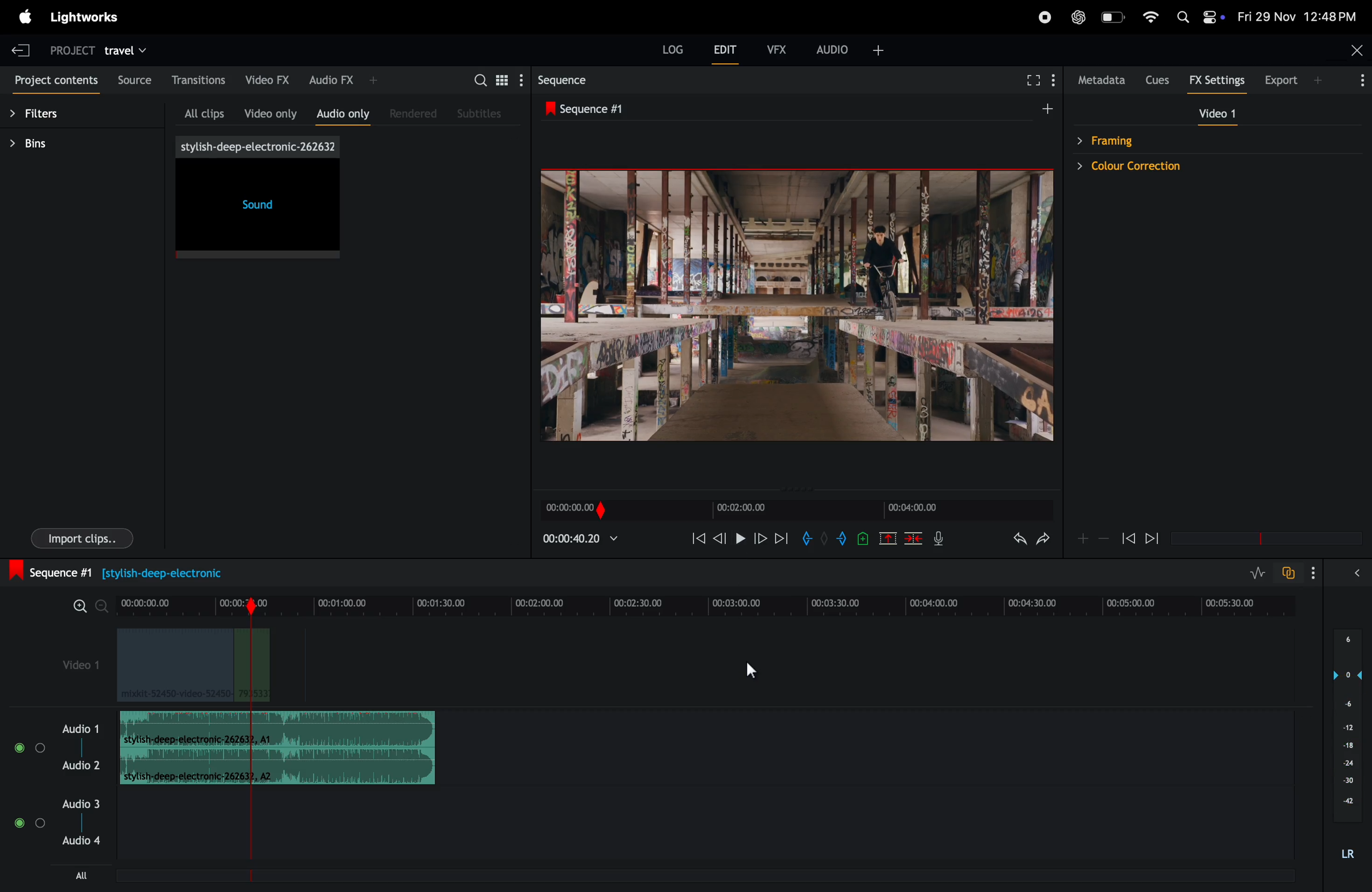  Describe the element at coordinates (18, 825) in the screenshot. I see `Toggle` at that location.